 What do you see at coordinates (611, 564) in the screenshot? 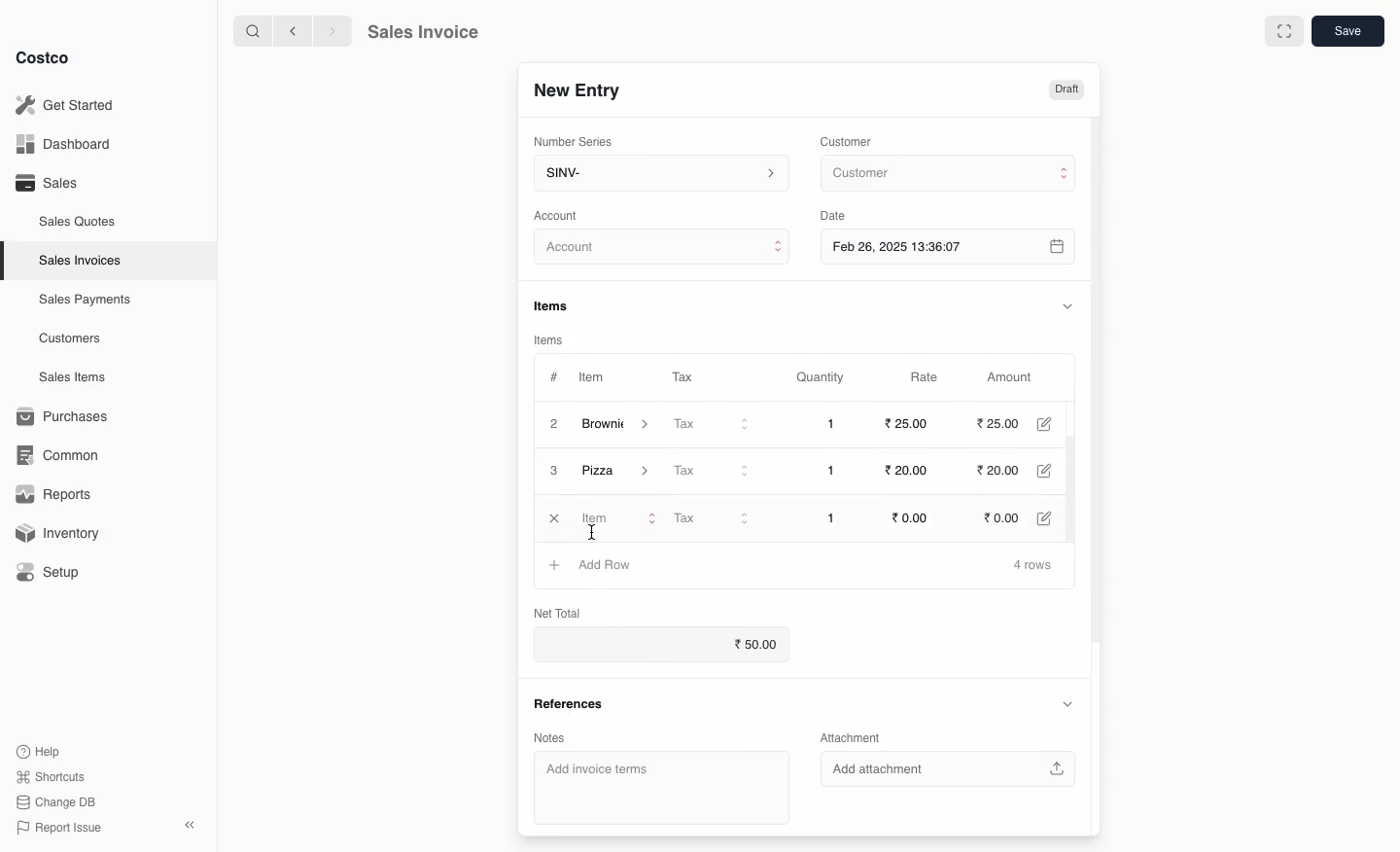
I see `Add Row` at bounding box center [611, 564].